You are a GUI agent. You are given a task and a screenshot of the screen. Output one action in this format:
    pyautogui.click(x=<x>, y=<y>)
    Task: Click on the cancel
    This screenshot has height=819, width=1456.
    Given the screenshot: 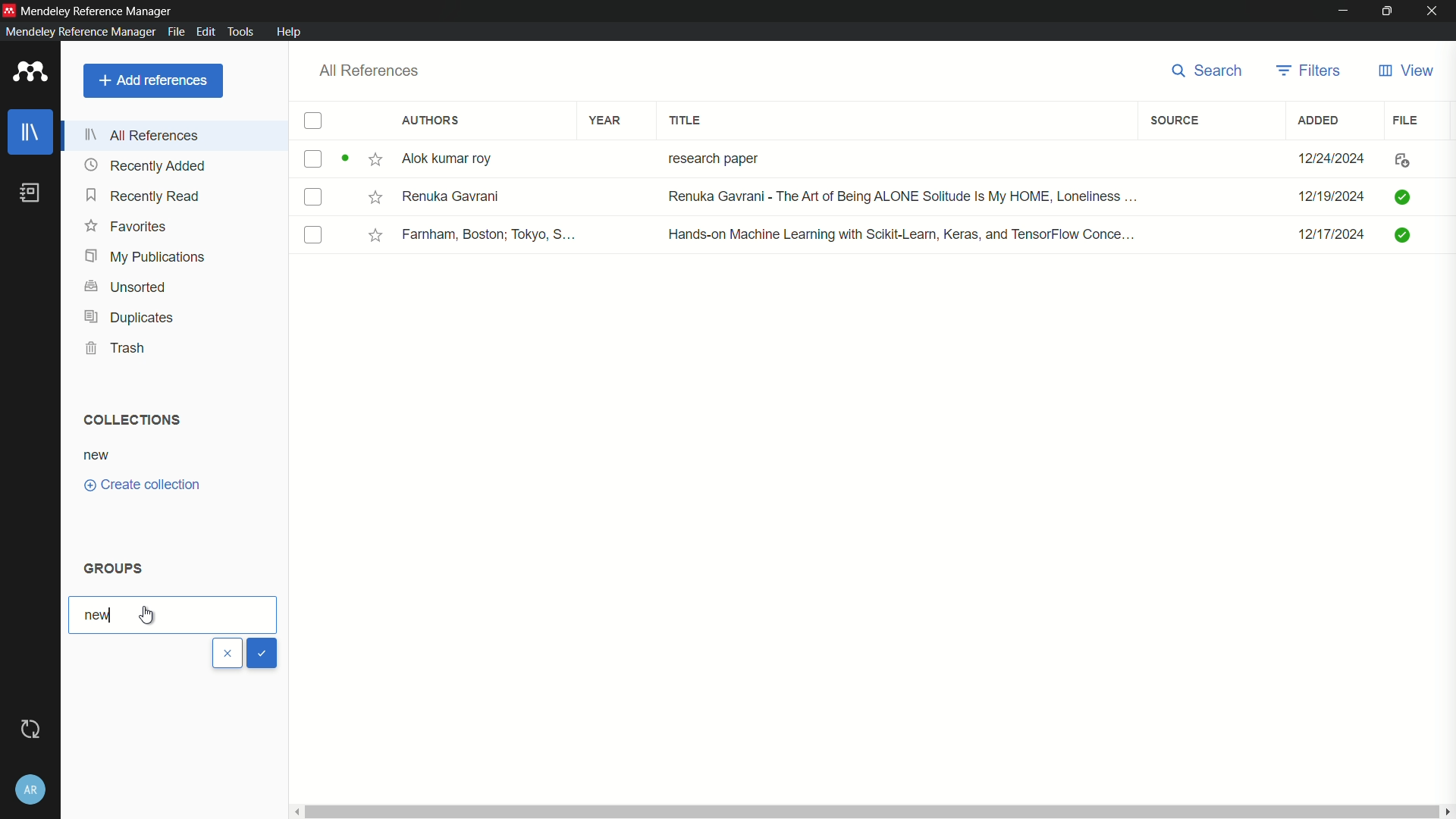 What is the action you would take?
    pyautogui.click(x=227, y=654)
    